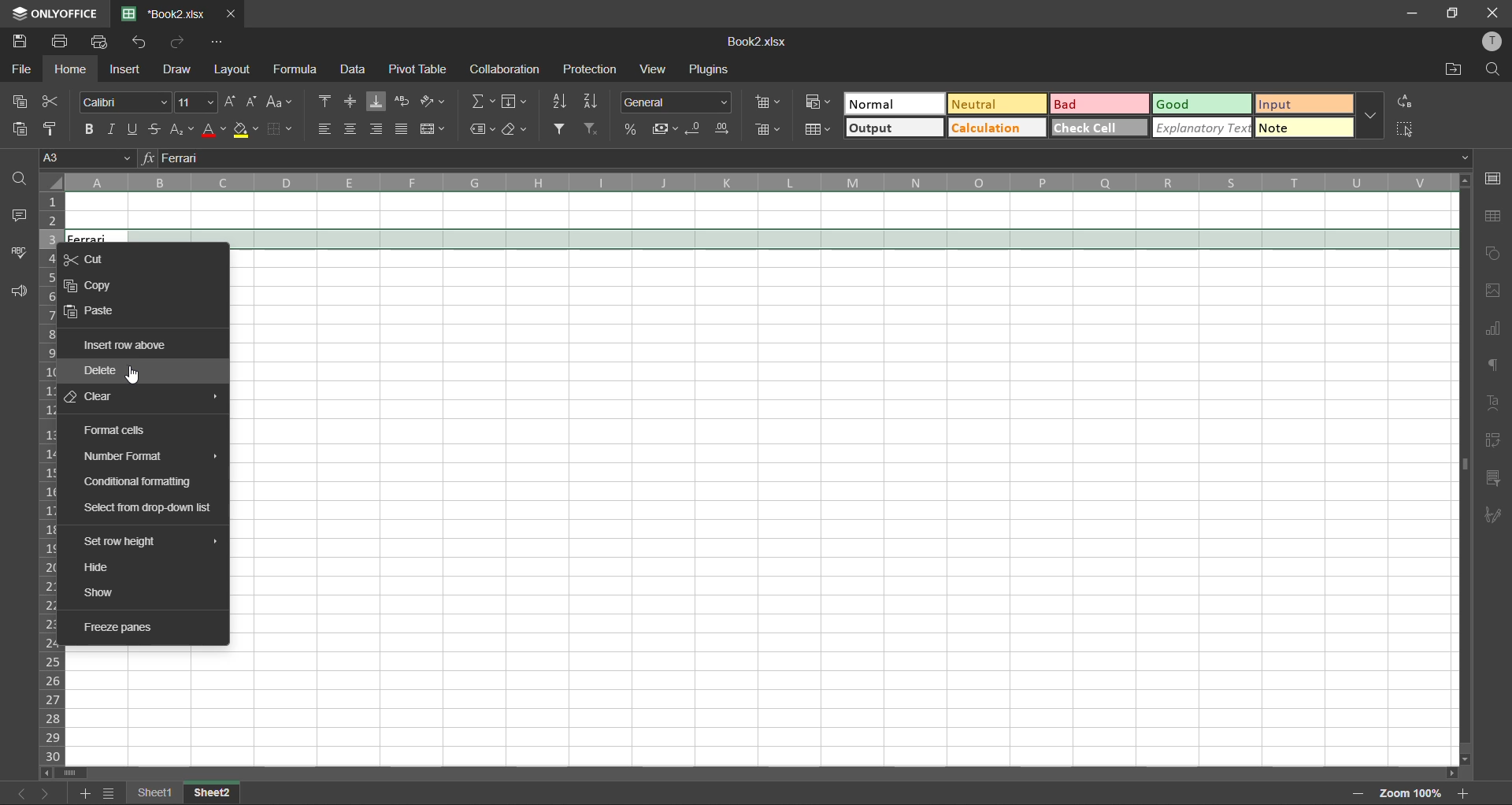 The width and height of the screenshot is (1512, 805). What do you see at coordinates (296, 71) in the screenshot?
I see `formula` at bounding box center [296, 71].